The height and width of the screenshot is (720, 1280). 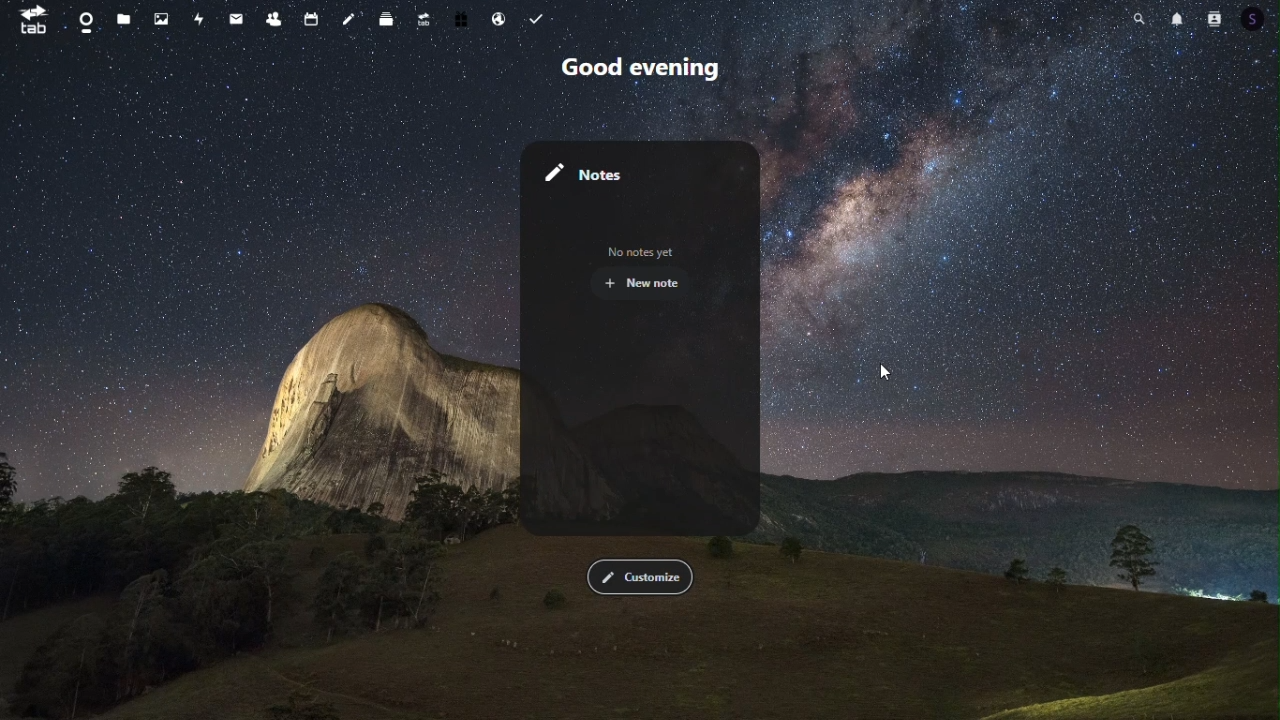 I want to click on Search, so click(x=1139, y=17).